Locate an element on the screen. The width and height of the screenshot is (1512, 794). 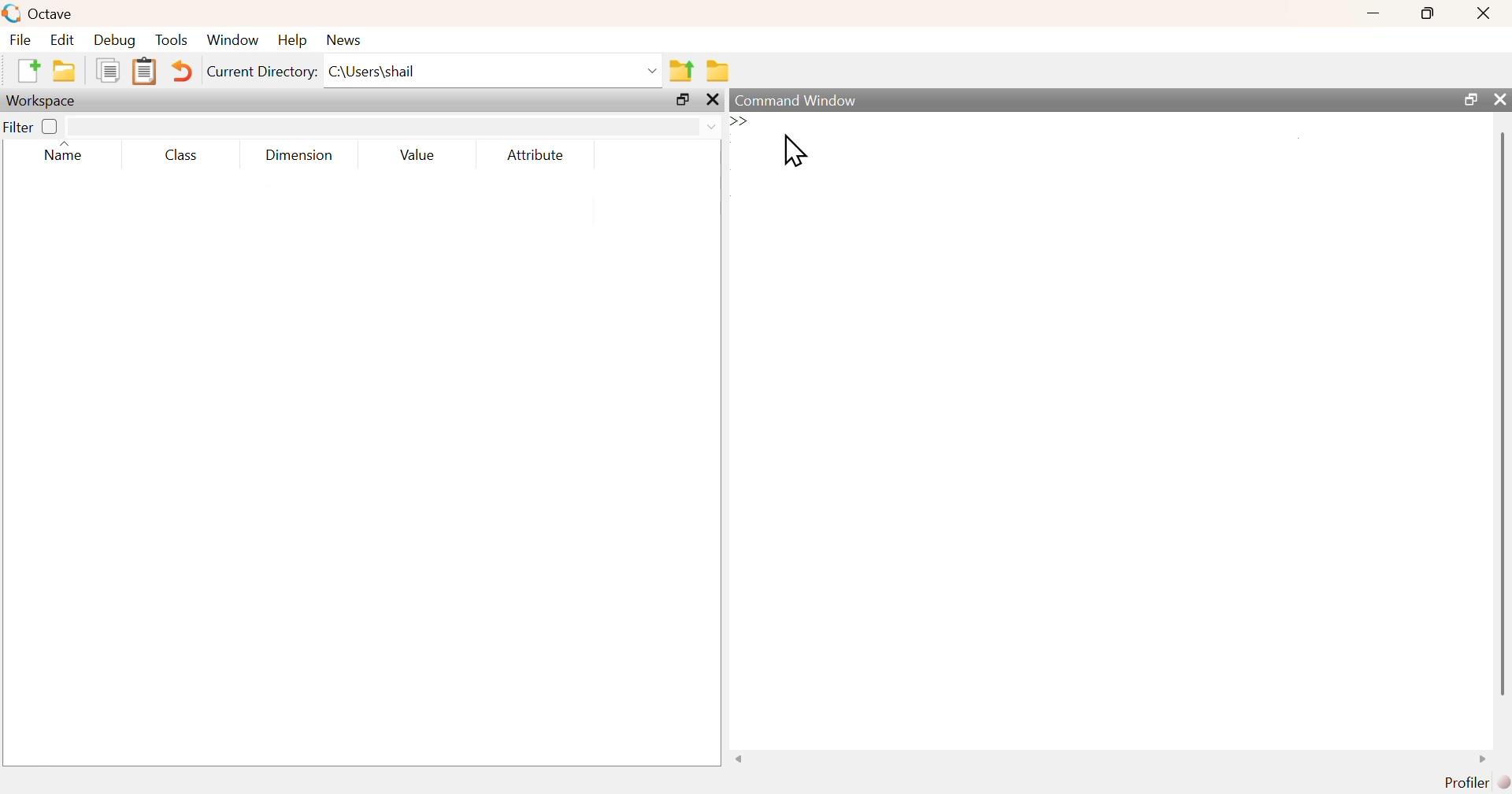
New file is located at coordinates (26, 71).